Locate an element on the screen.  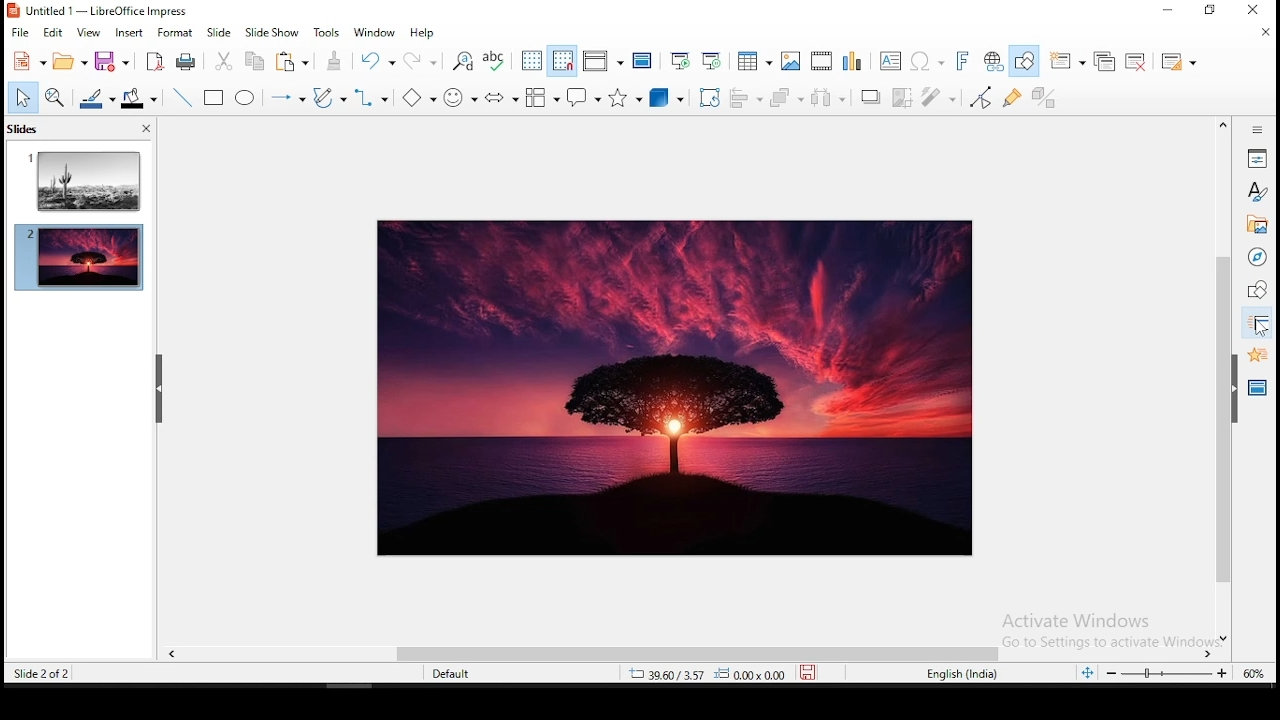
mouse pointer is located at coordinates (1257, 328).